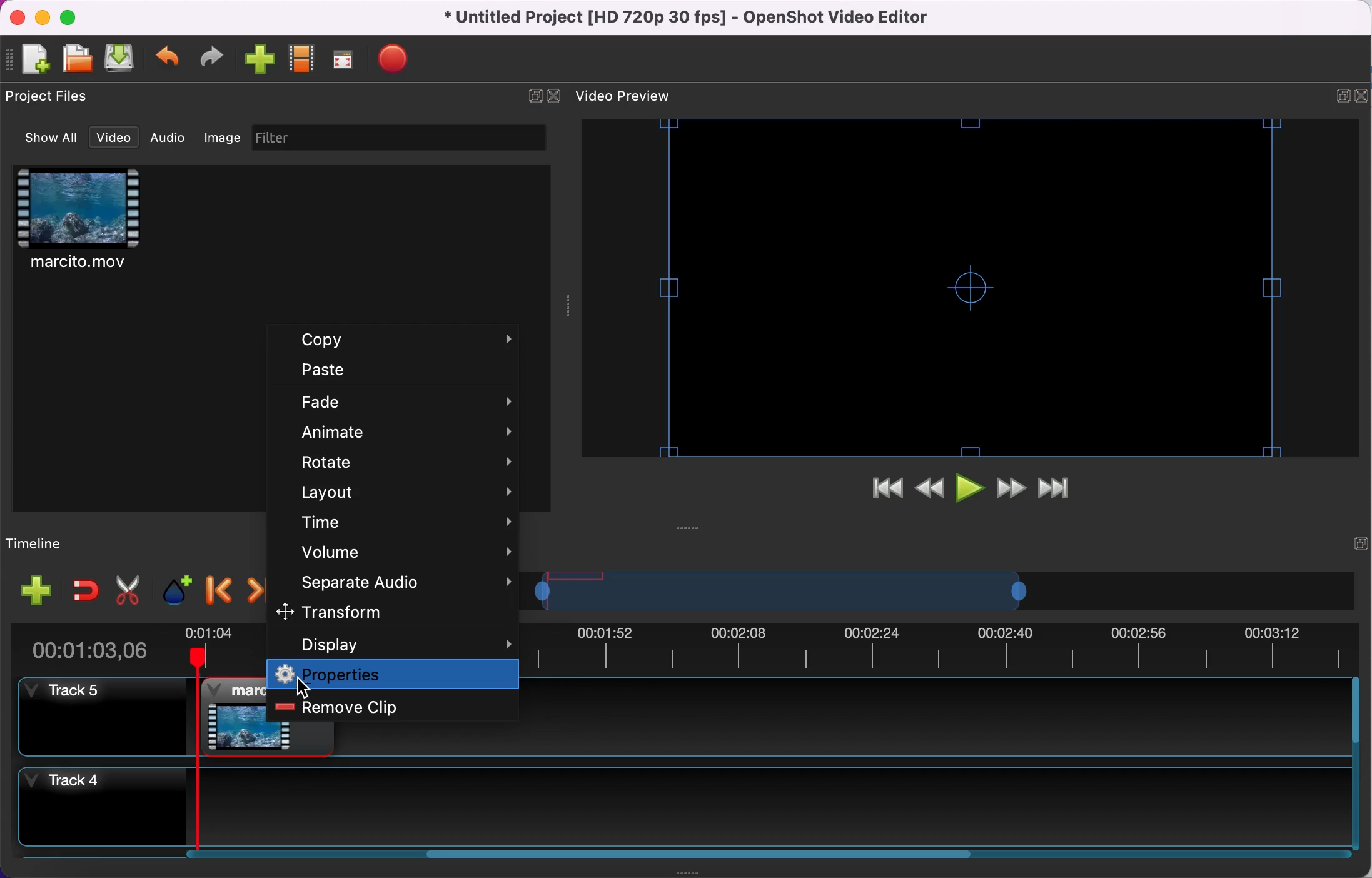 Image resolution: width=1372 pixels, height=878 pixels. What do you see at coordinates (132, 719) in the screenshot?
I see `track 5` at bounding box center [132, 719].